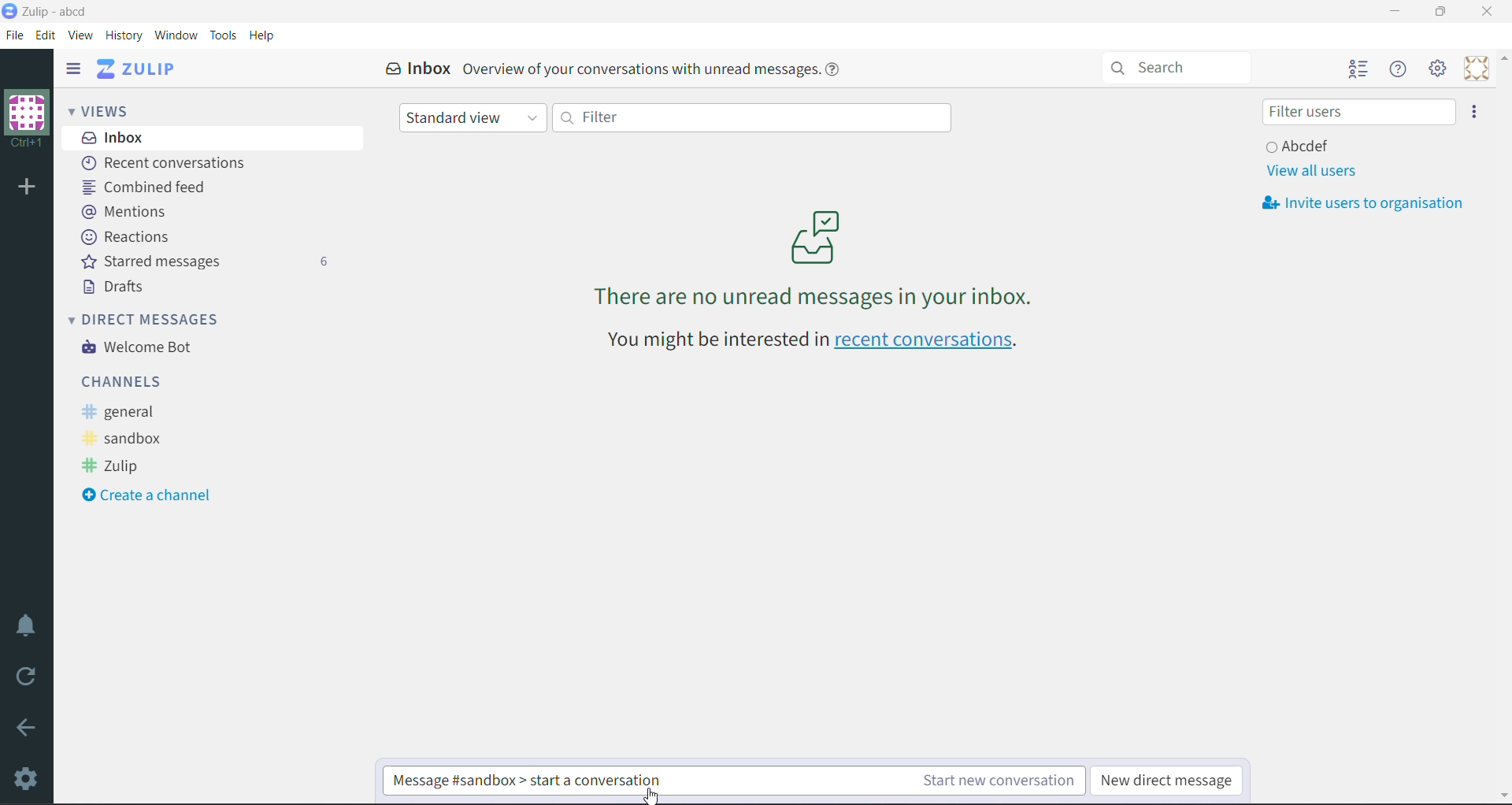 The width and height of the screenshot is (1512, 805). I want to click on Go Back, so click(27, 727).